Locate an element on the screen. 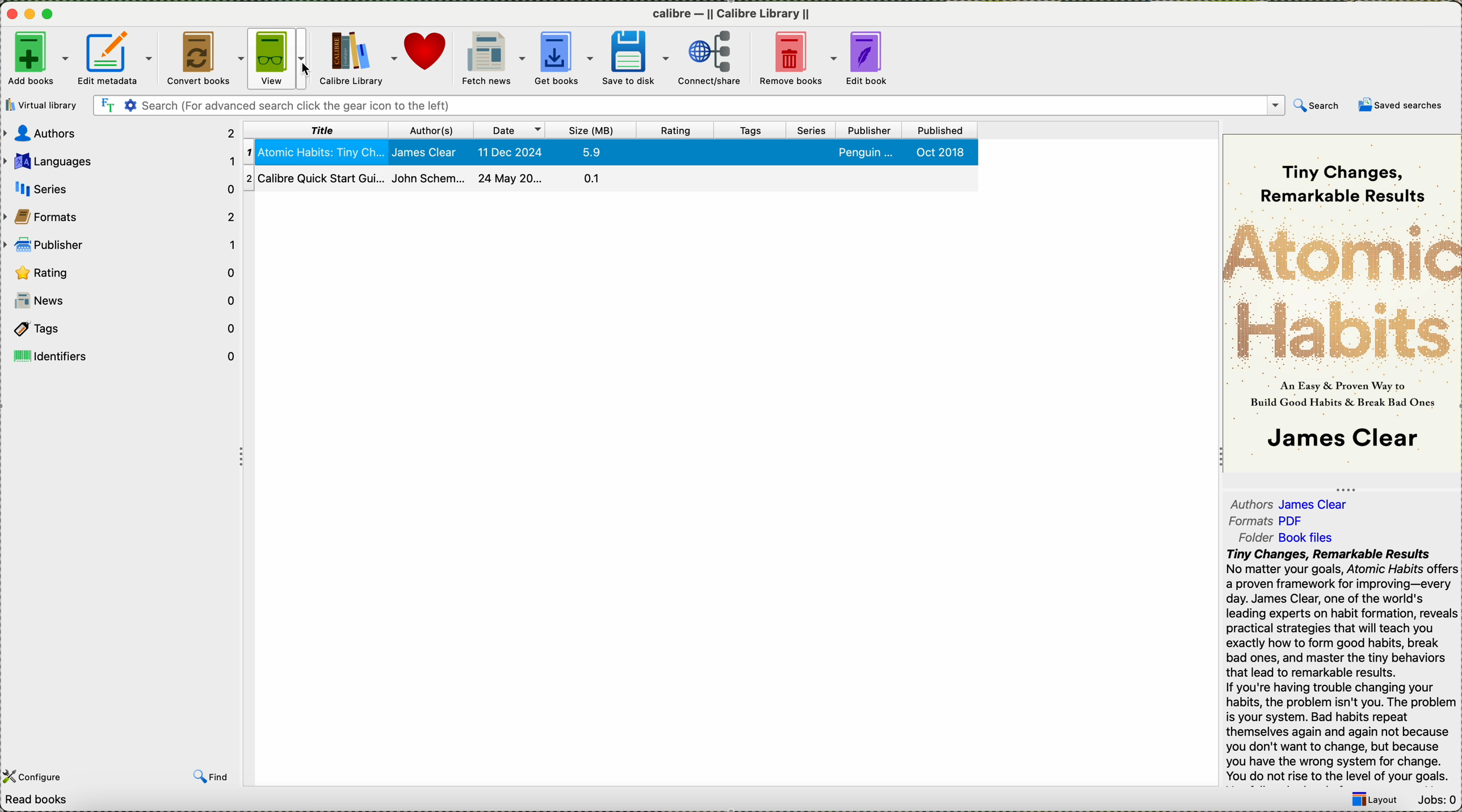  series is located at coordinates (812, 131).